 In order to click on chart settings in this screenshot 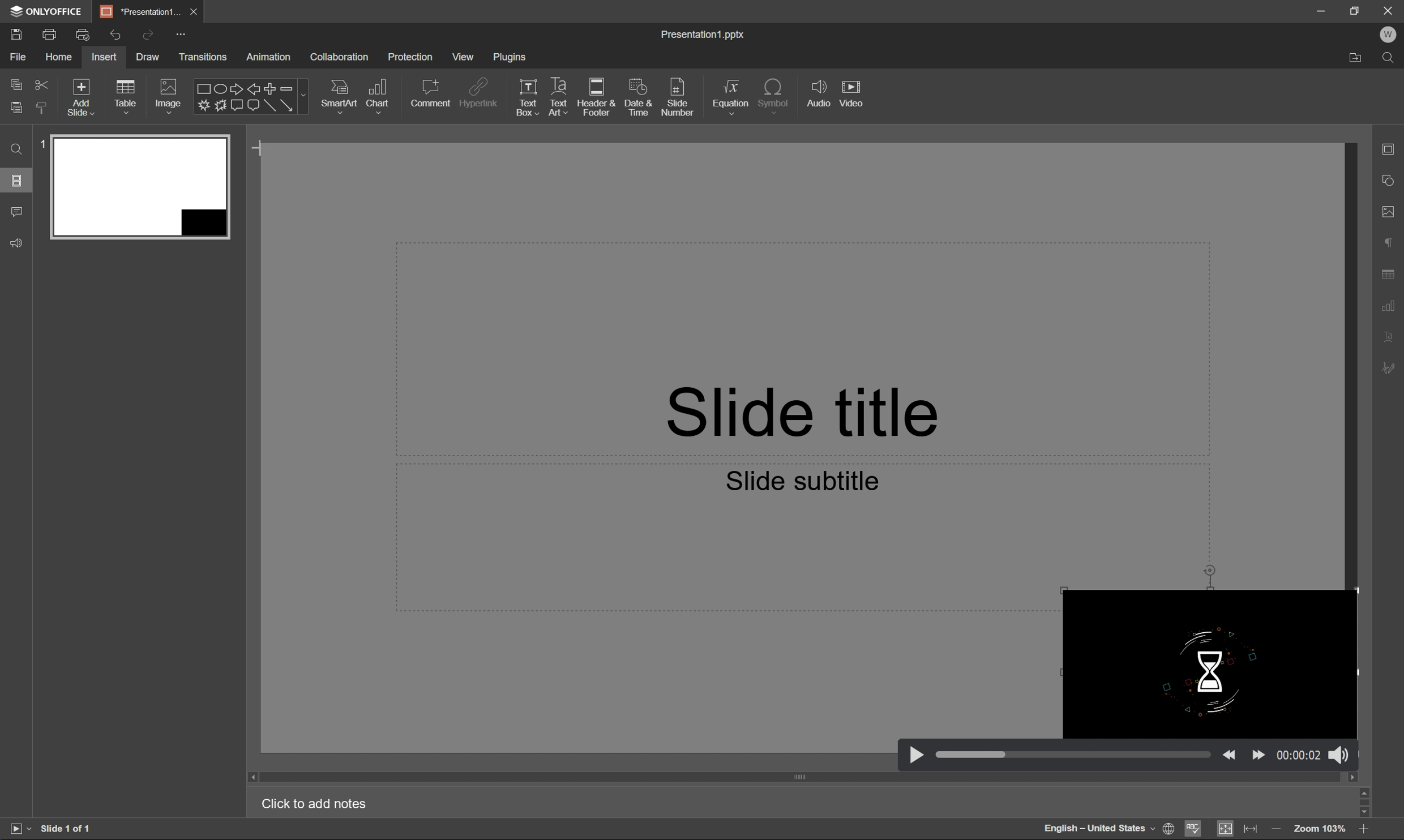, I will do `click(1394, 304)`.